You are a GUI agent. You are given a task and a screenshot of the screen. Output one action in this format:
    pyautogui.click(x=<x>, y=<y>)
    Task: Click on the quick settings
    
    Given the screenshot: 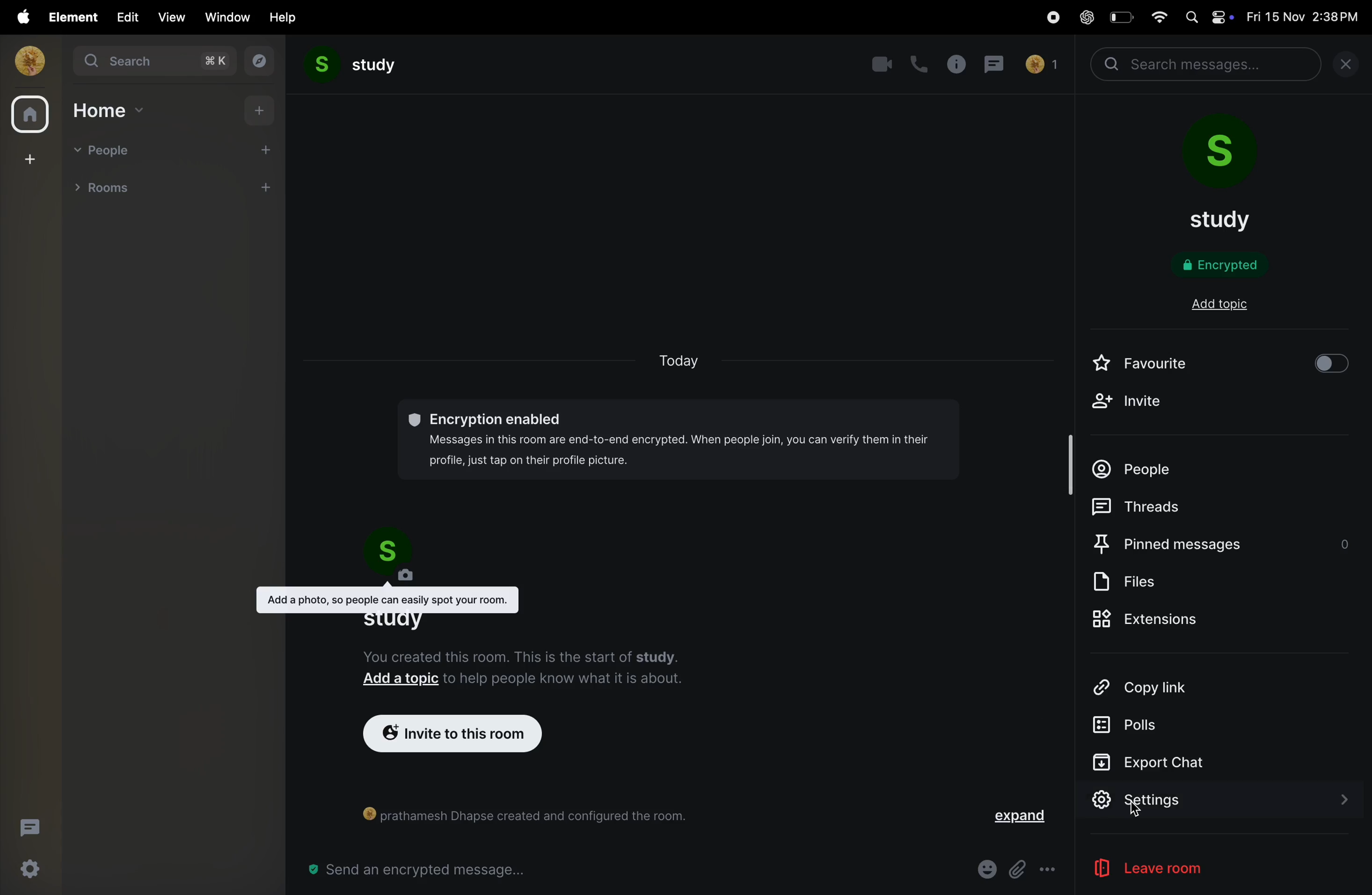 What is the action you would take?
    pyautogui.click(x=25, y=871)
    